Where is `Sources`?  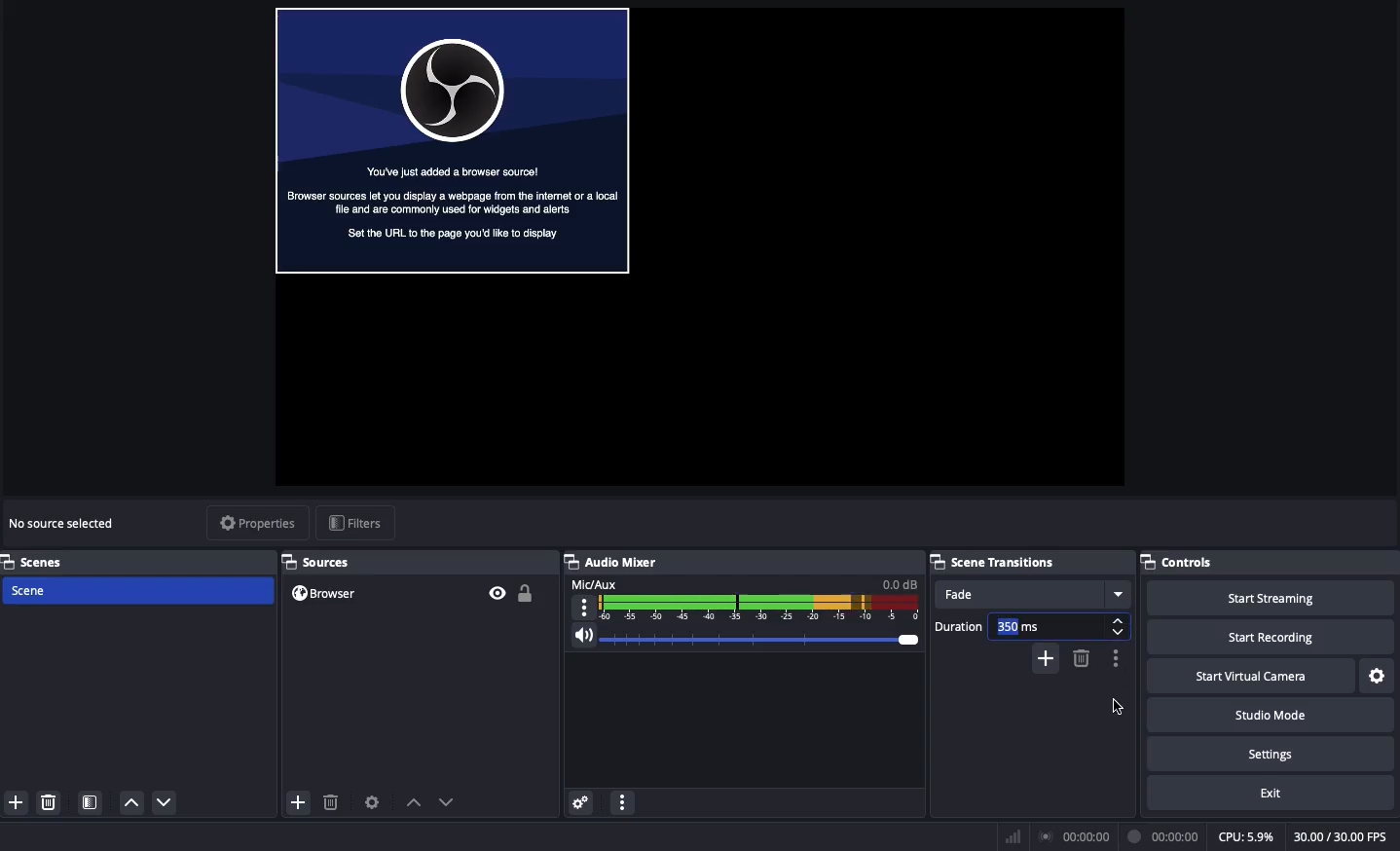
Sources is located at coordinates (317, 562).